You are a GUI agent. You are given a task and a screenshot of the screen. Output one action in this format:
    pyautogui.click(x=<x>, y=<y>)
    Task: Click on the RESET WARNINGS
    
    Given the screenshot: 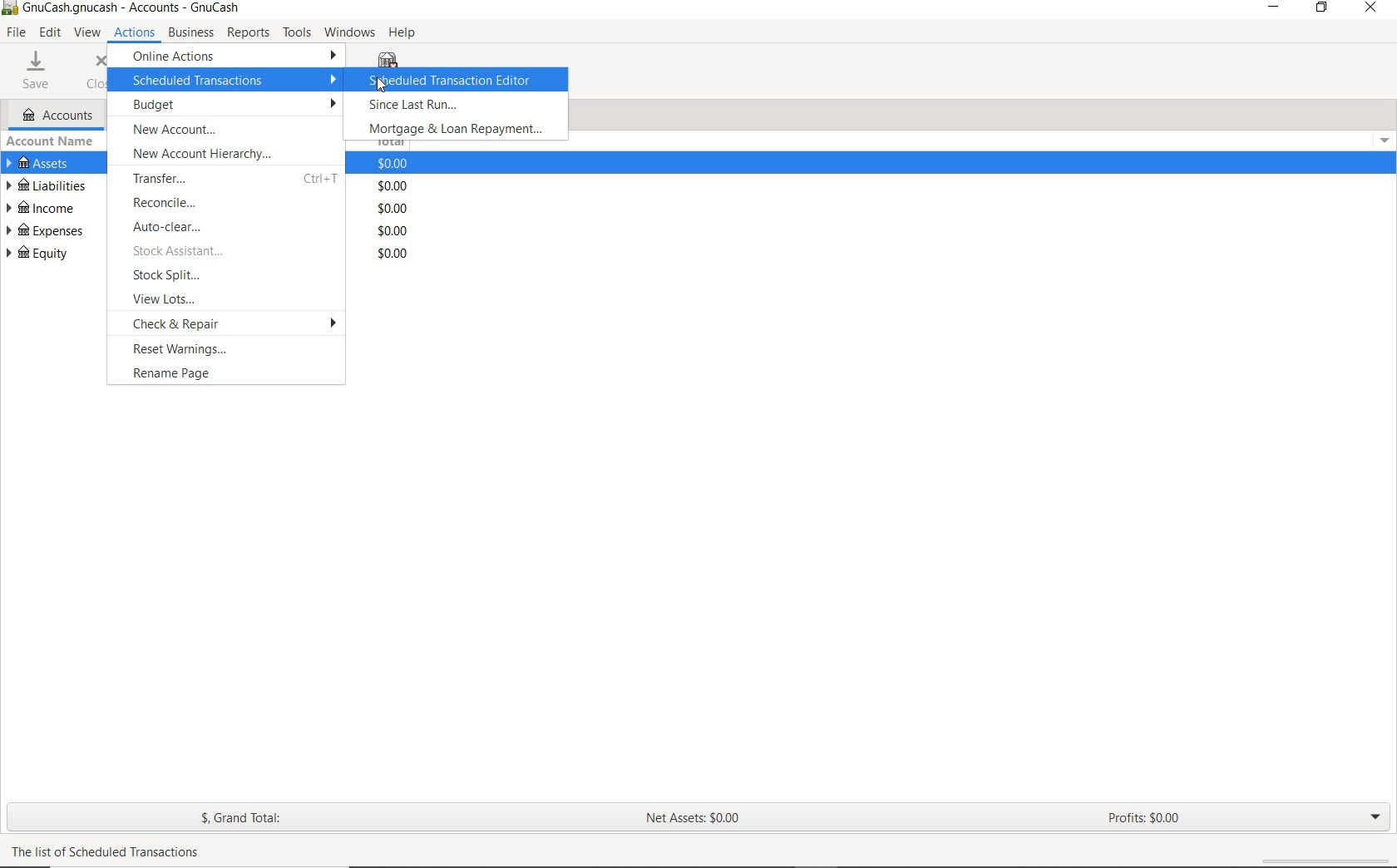 What is the action you would take?
    pyautogui.click(x=235, y=351)
    